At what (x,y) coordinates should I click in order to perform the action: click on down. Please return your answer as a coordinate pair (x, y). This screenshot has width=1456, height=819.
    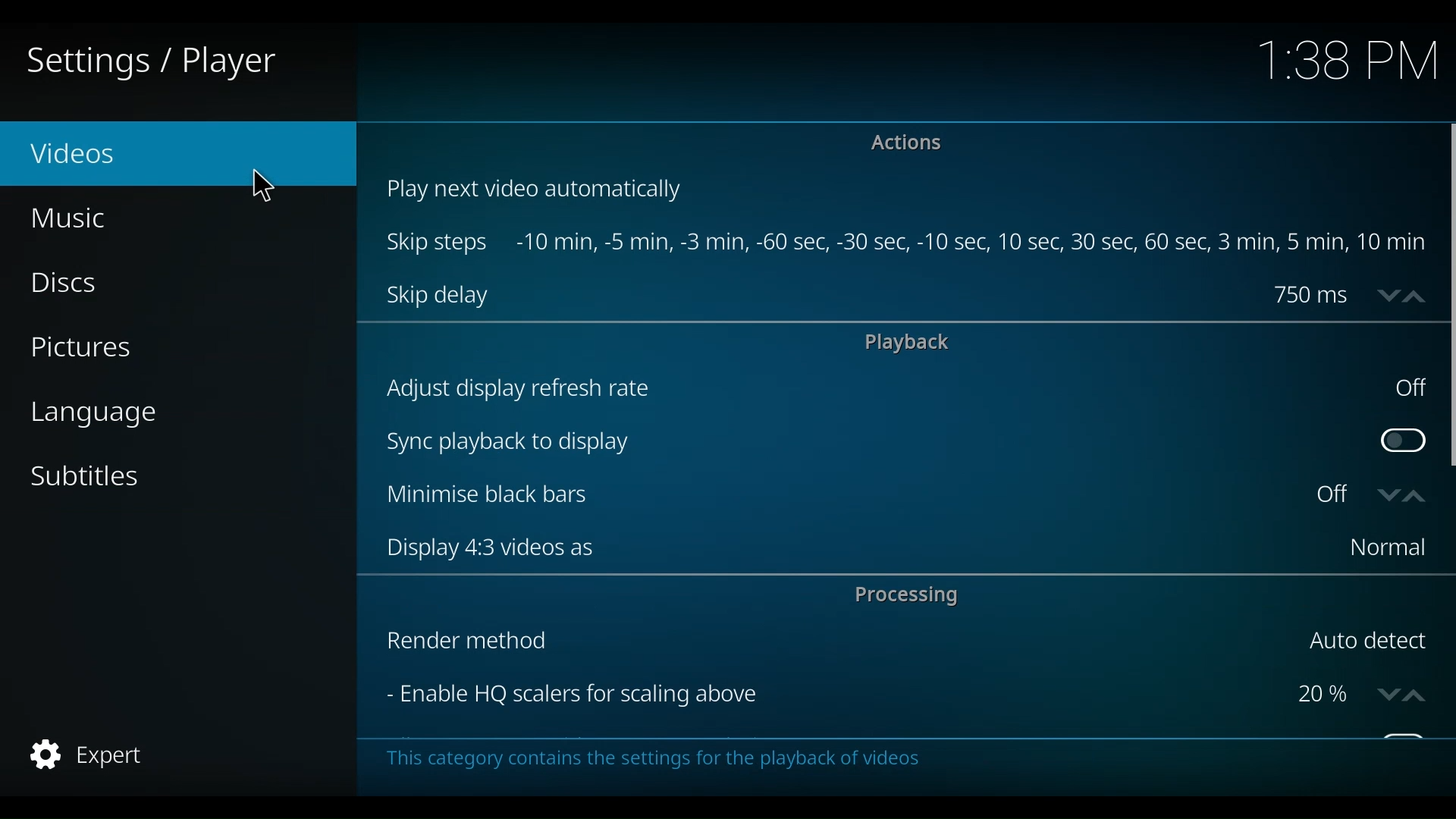
    Looking at the image, I should click on (1384, 695).